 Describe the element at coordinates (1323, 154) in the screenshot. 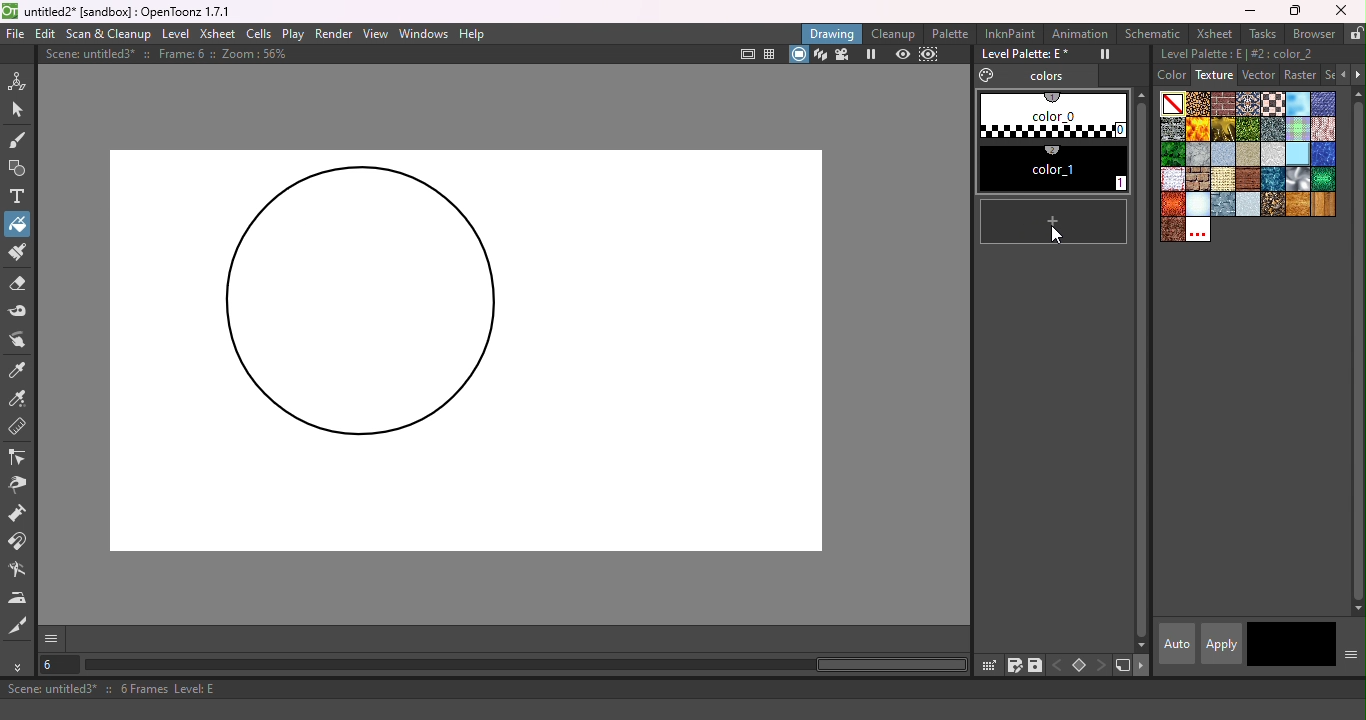

I see `pool.bmp` at that location.